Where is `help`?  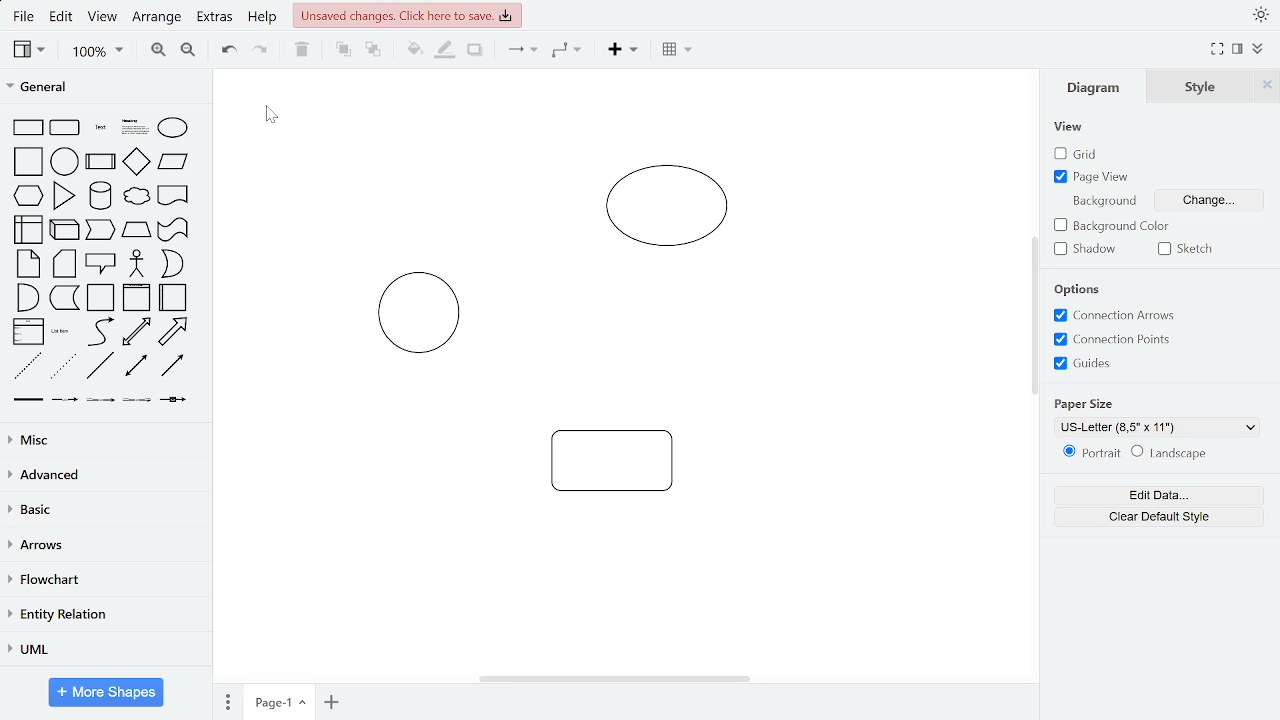 help is located at coordinates (264, 19).